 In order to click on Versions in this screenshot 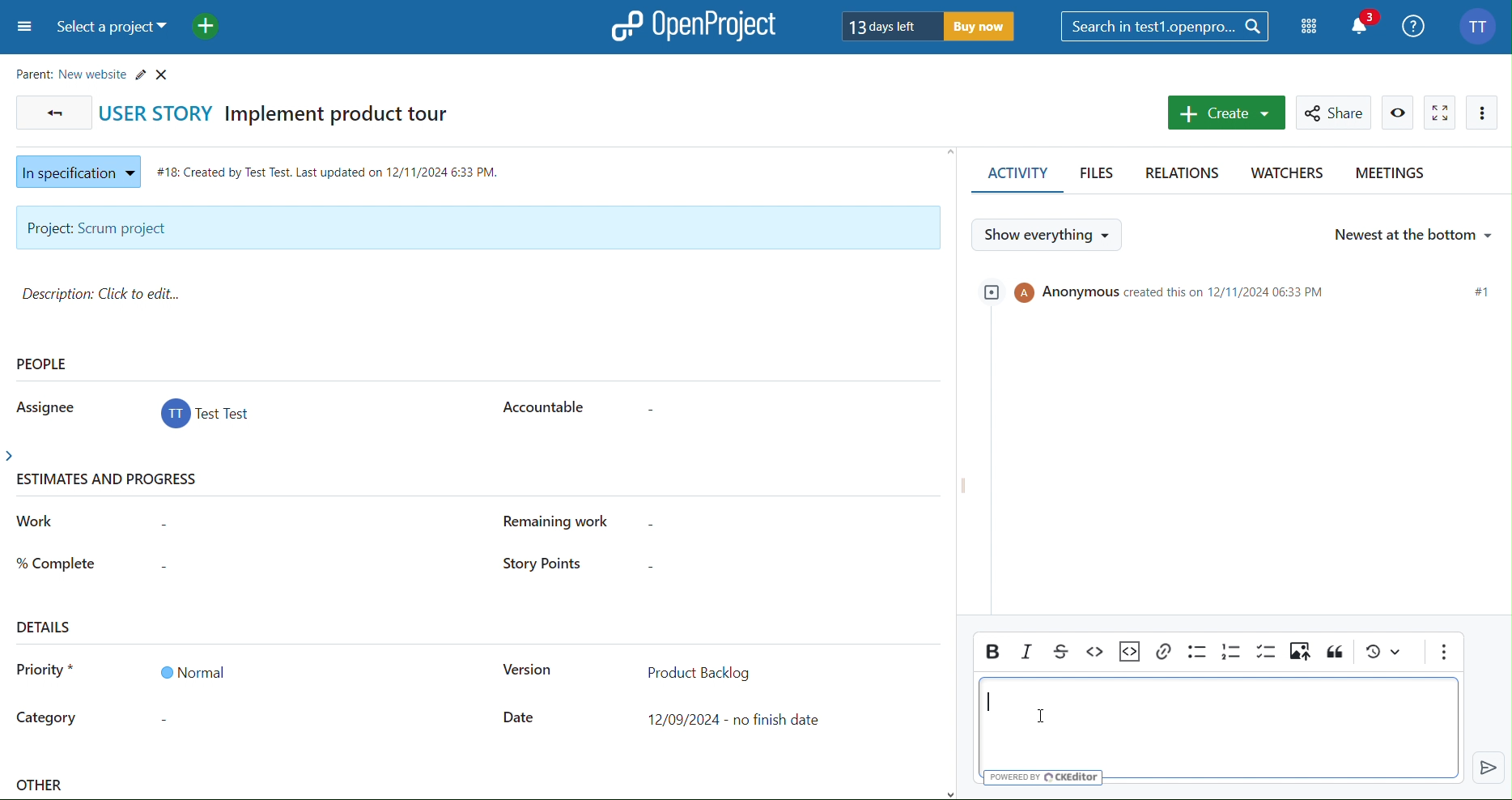, I will do `click(1383, 655)`.